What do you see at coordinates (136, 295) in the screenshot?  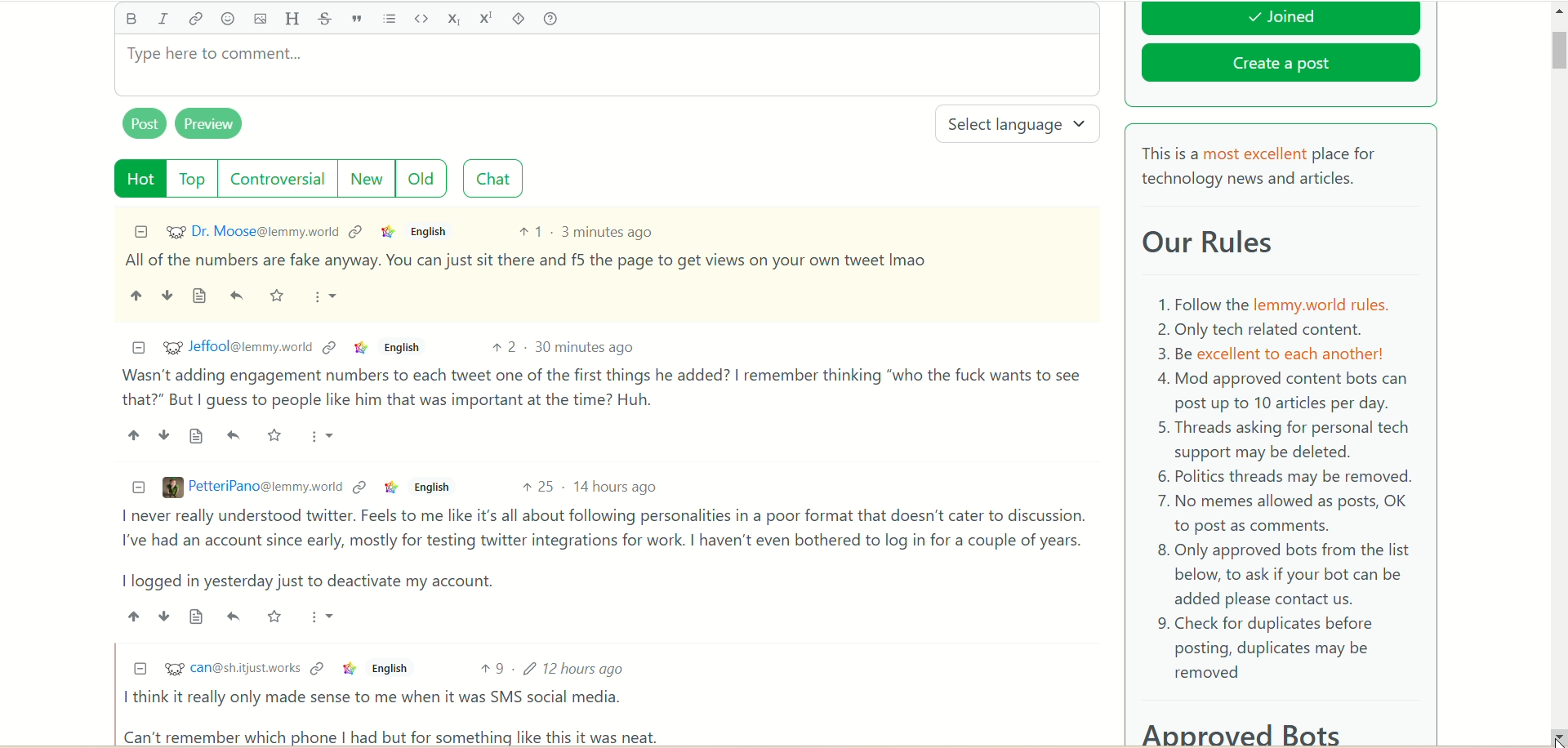 I see `Upvote ` at bounding box center [136, 295].